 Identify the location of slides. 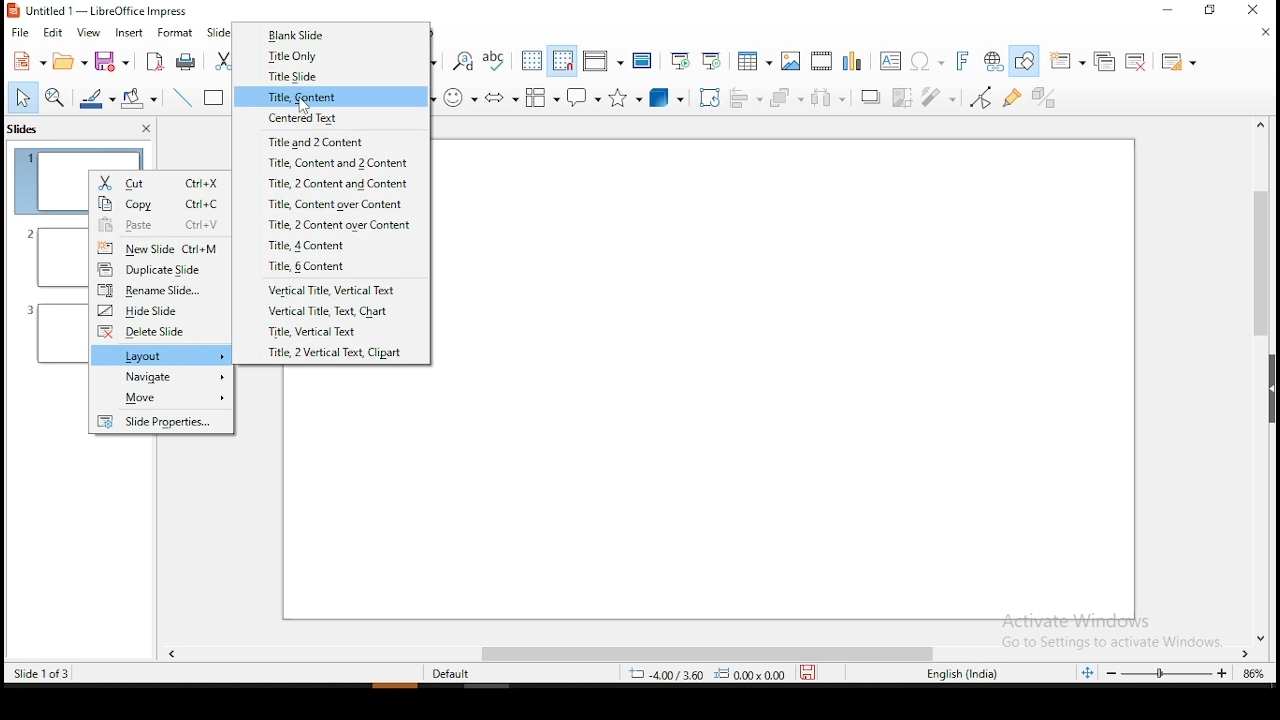
(23, 128).